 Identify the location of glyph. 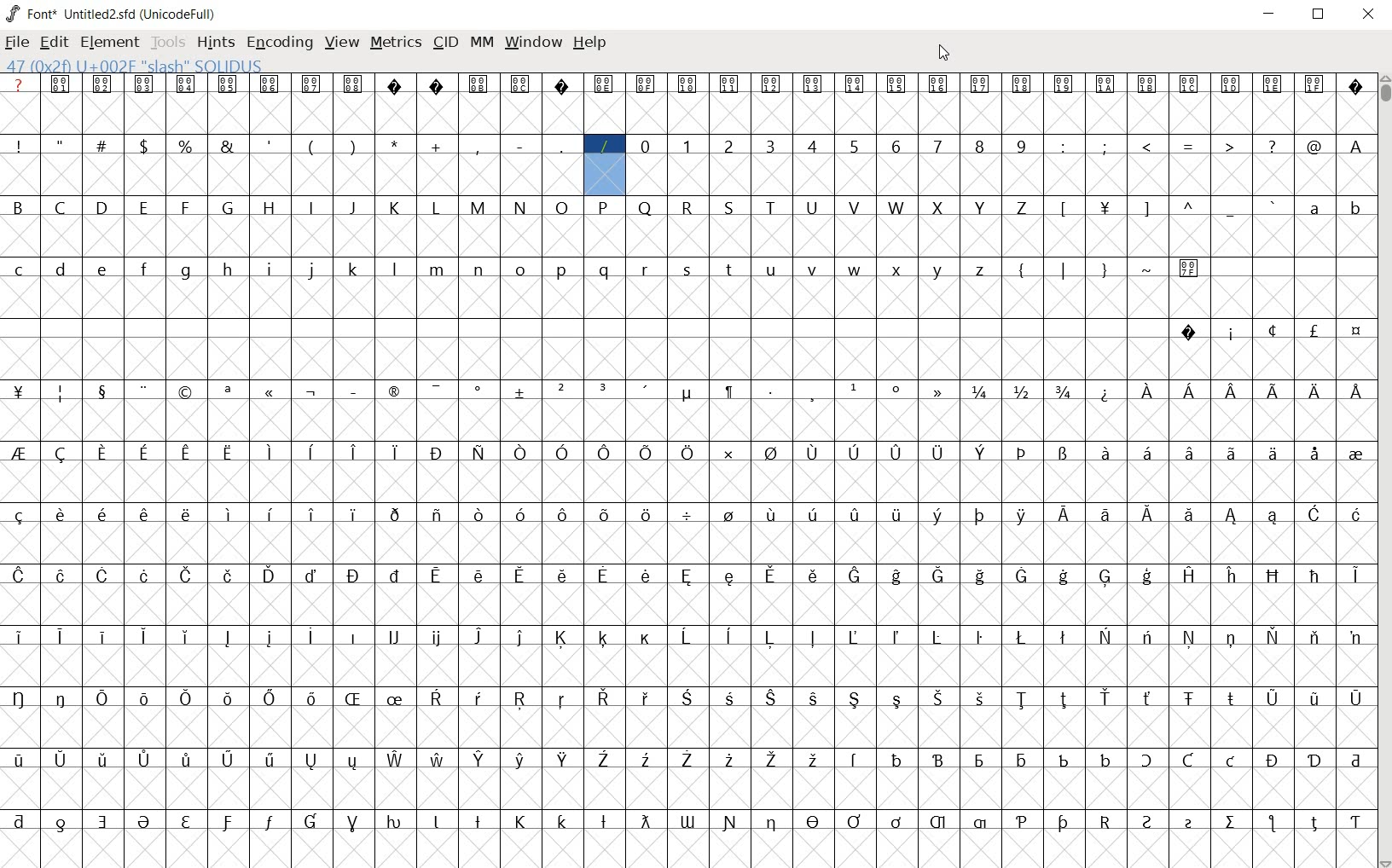
(604, 389).